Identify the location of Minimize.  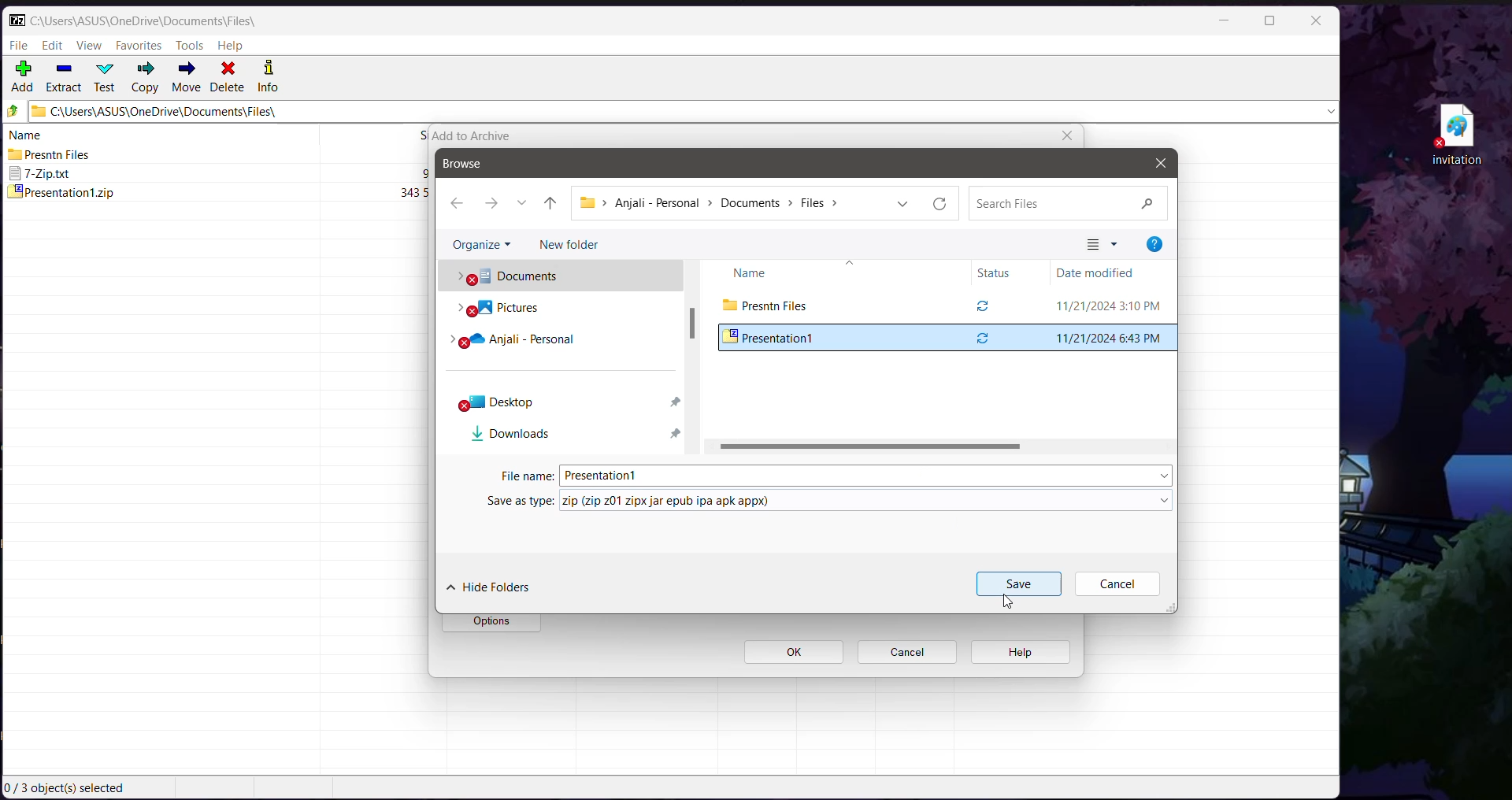
(1226, 21).